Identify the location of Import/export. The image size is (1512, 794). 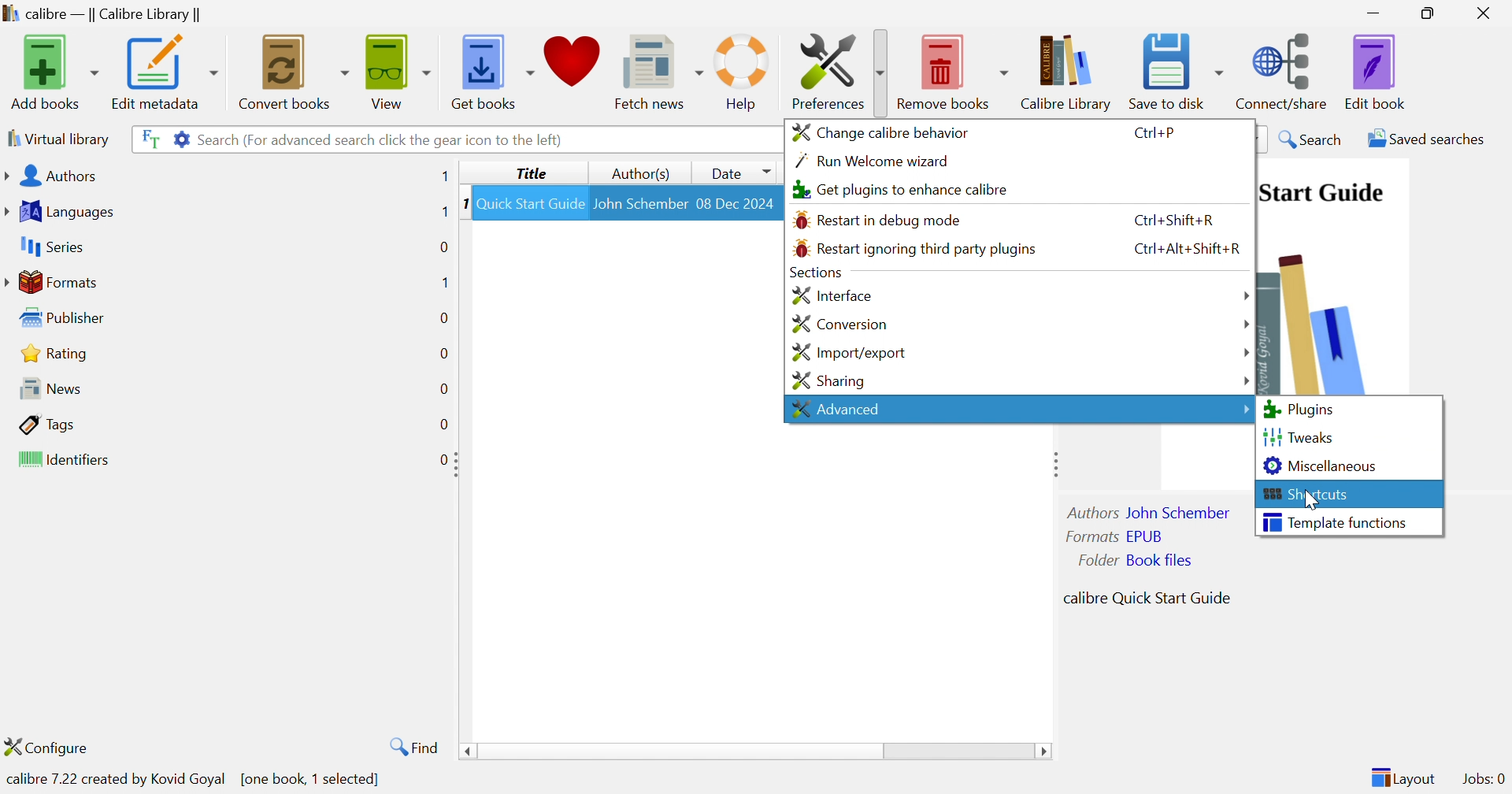
(847, 353).